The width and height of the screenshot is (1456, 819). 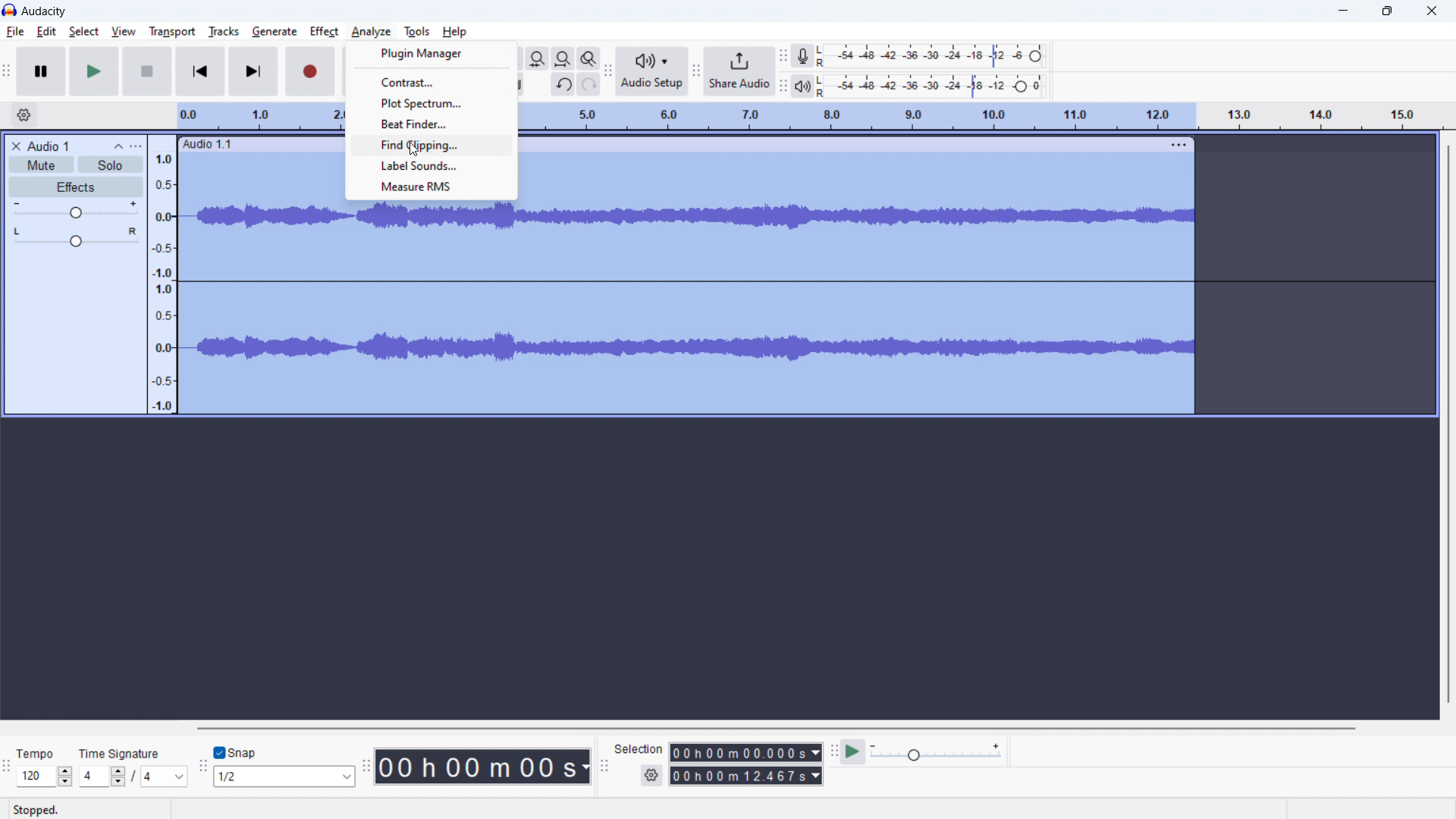 I want to click on help, so click(x=456, y=33).